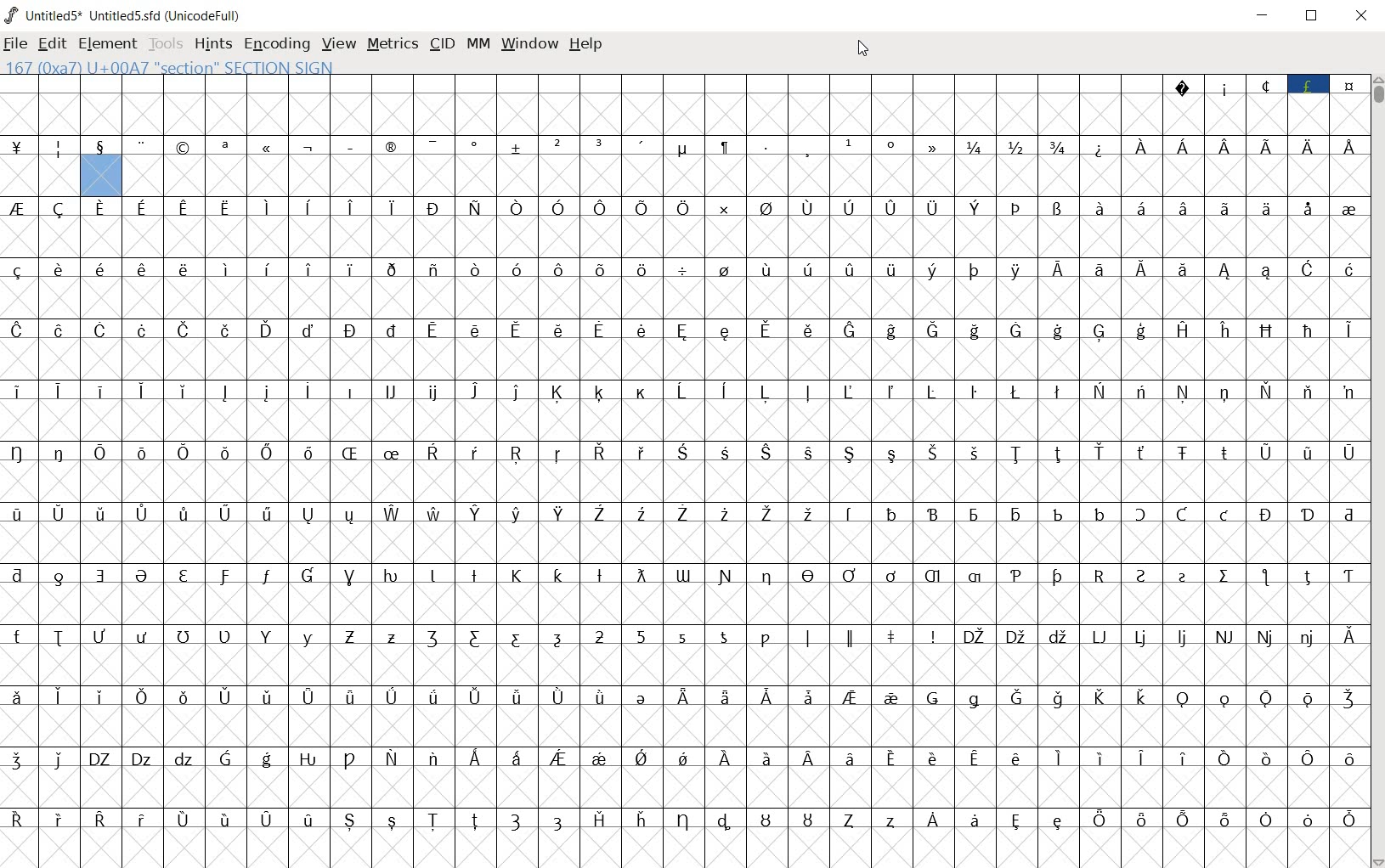  Describe the element at coordinates (687, 299) in the screenshot. I see `empty cells` at that location.